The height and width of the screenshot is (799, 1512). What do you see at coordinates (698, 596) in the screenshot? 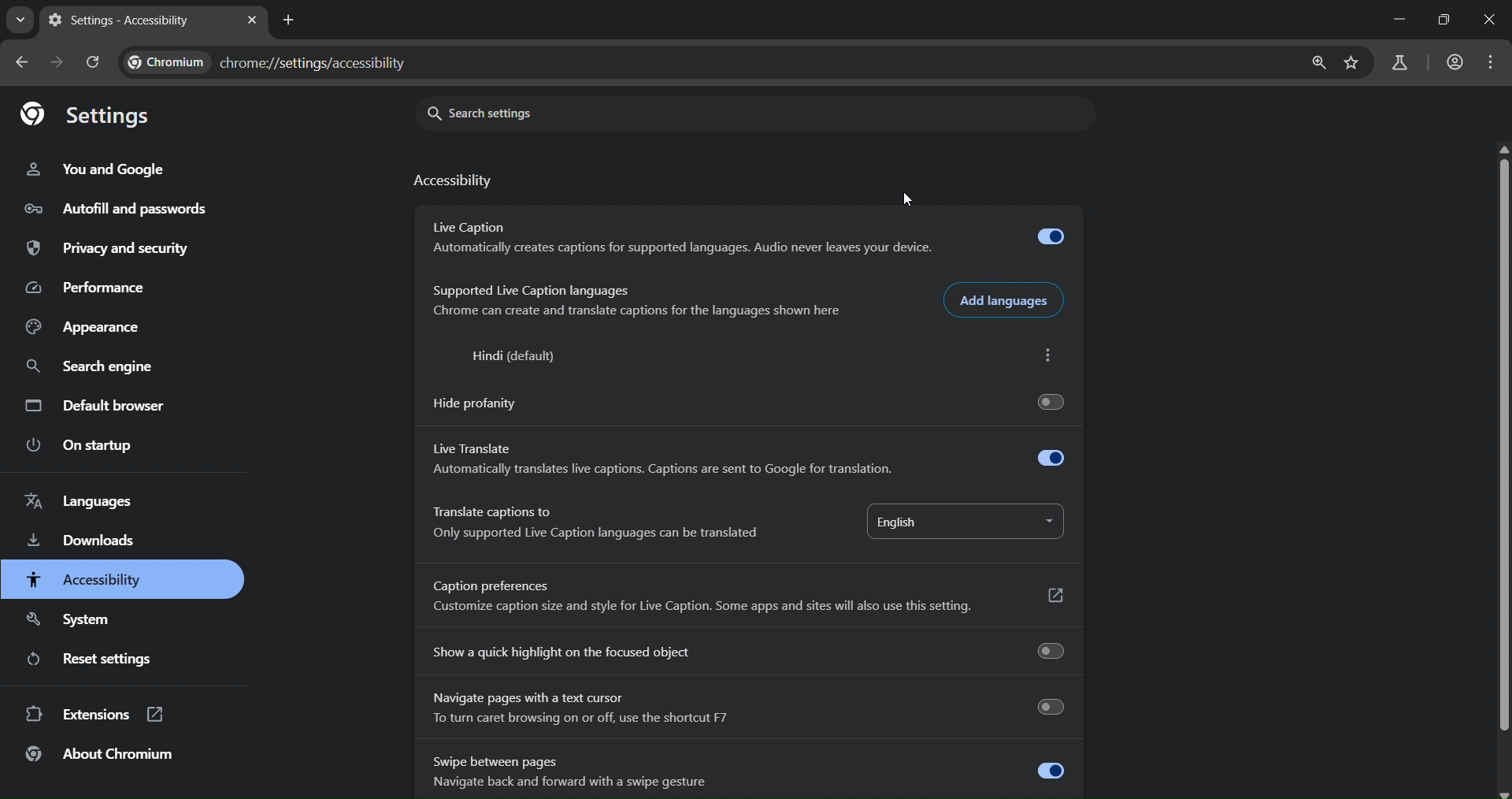
I see `Caption preferences
Customize caption size and style for Live Caption. Some apps and sites will also use this setting.` at bounding box center [698, 596].